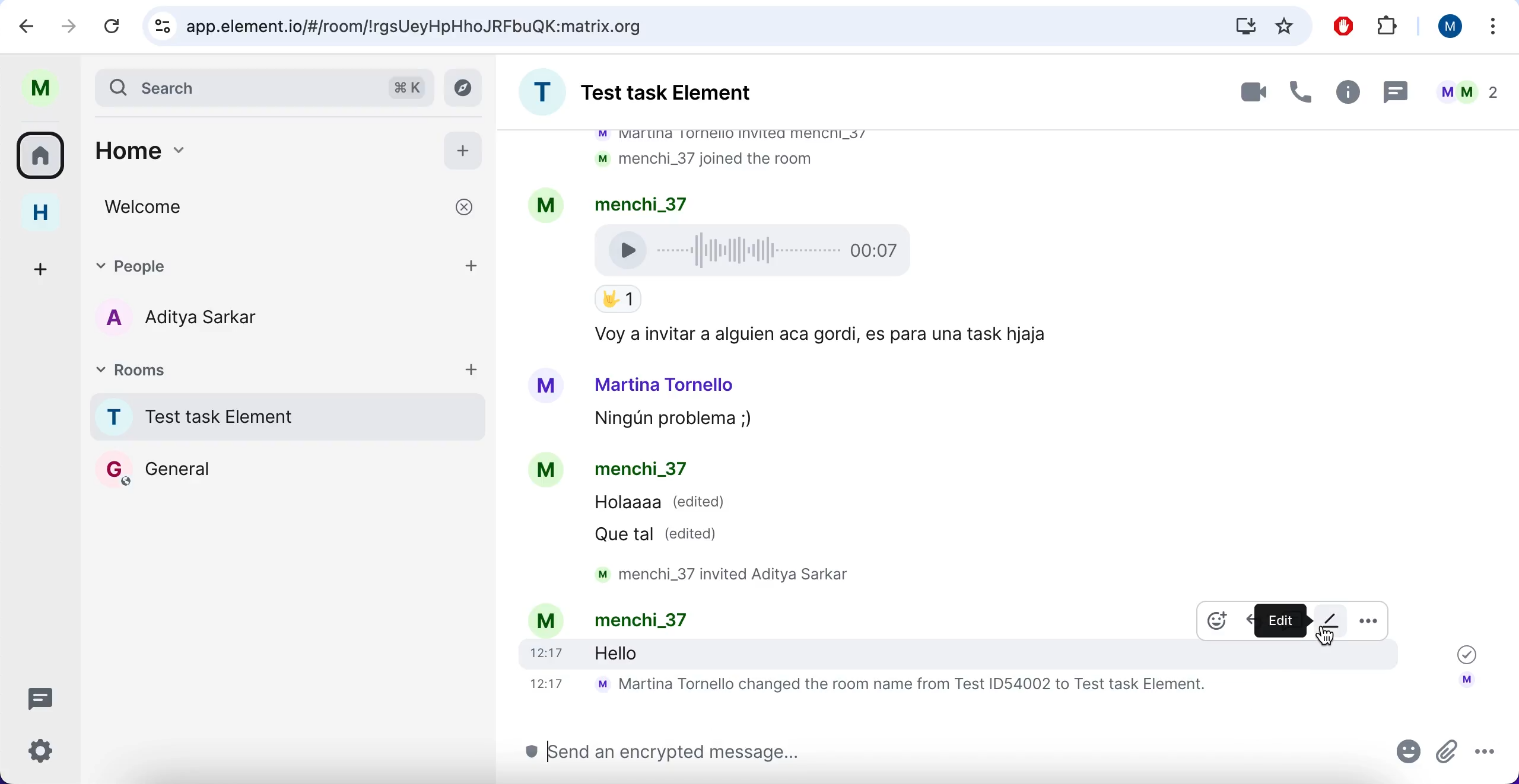 The width and height of the screenshot is (1519, 784). What do you see at coordinates (1302, 94) in the screenshot?
I see `call` at bounding box center [1302, 94].